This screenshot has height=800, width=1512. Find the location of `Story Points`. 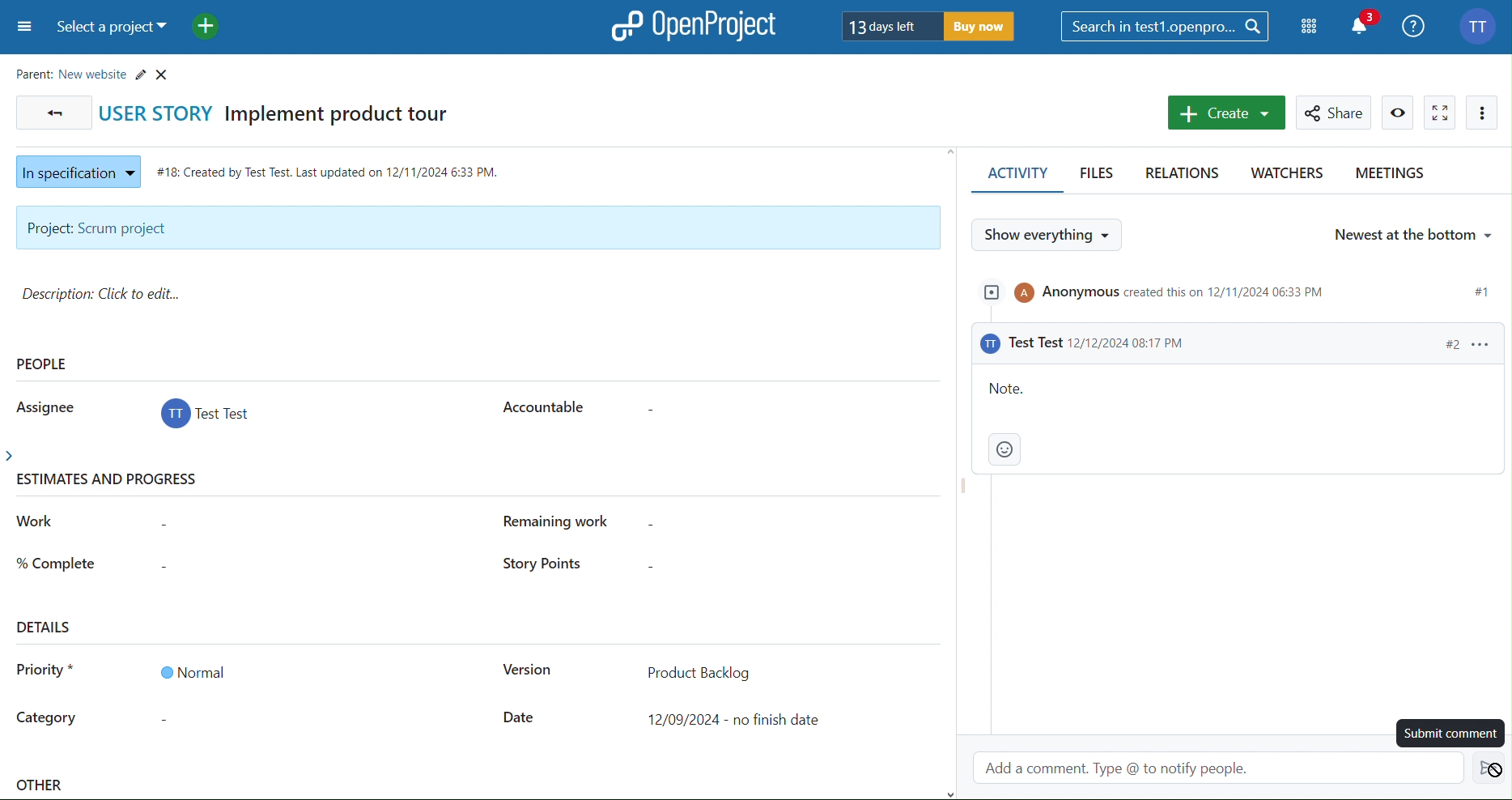

Story Points is located at coordinates (538, 565).